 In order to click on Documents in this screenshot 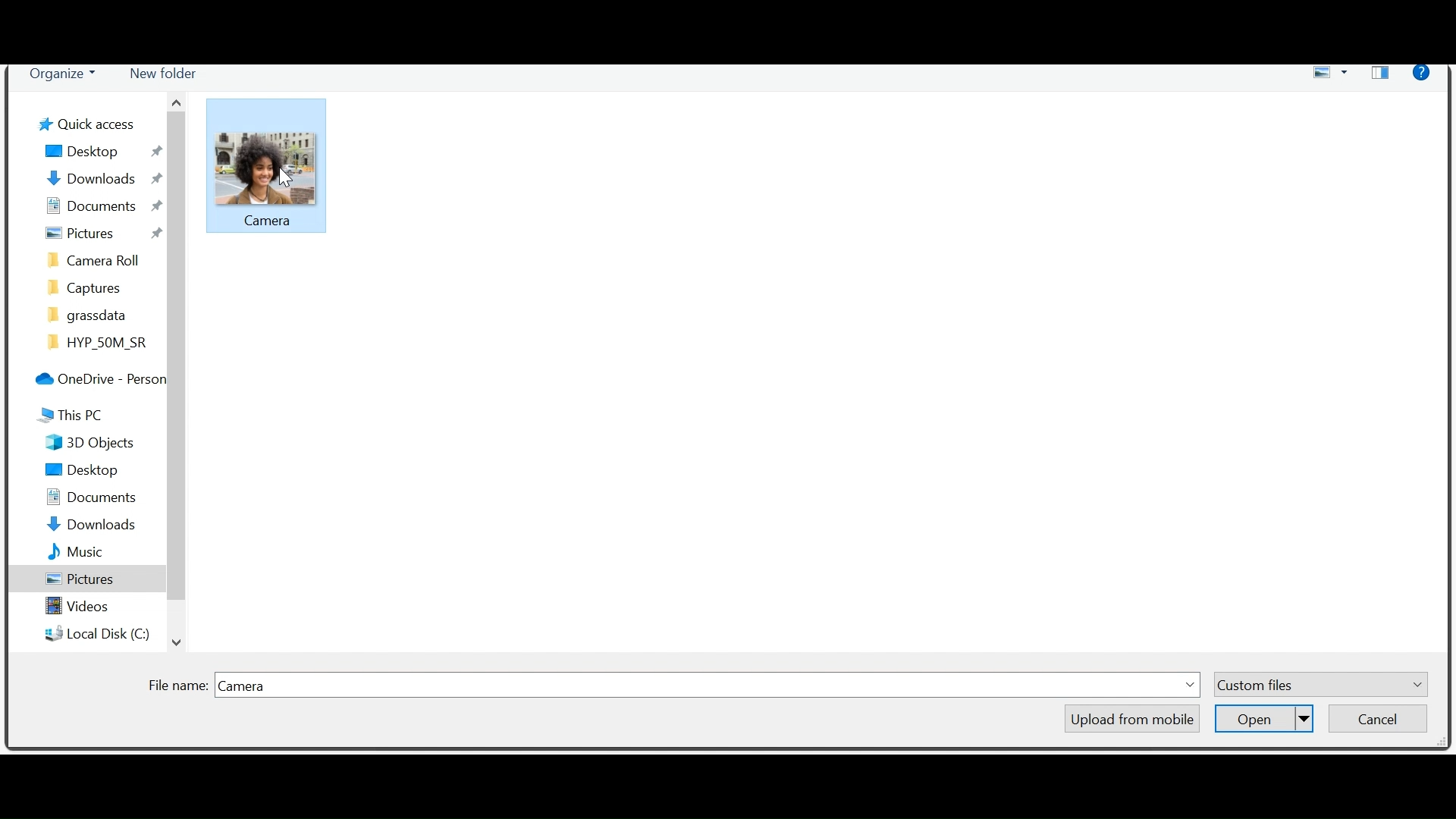, I will do `click(102, 205)`.